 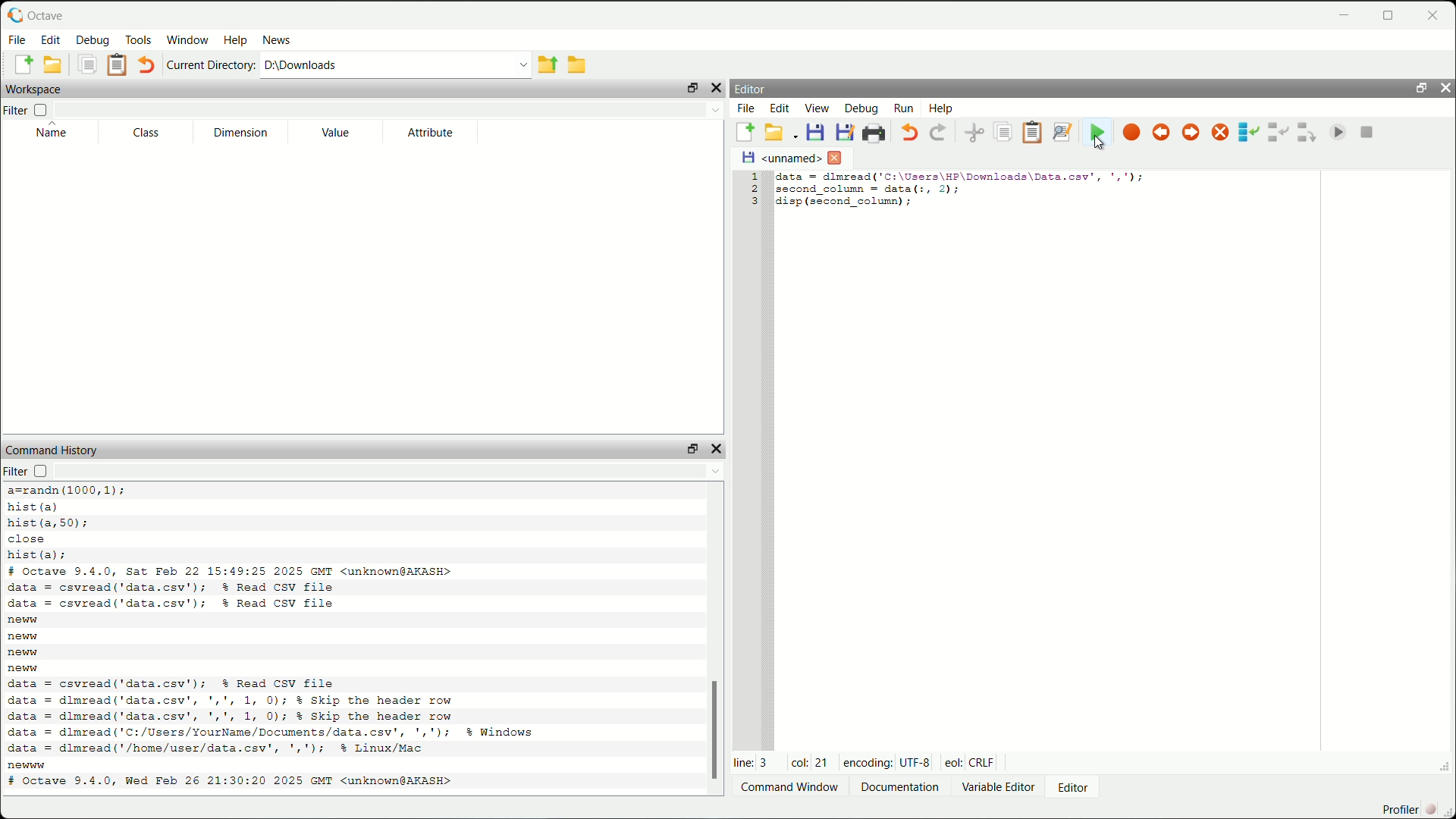 What do you see at coordinates (836, 160) in the screenshot?
I see `close` at bounding box center [836, 160].